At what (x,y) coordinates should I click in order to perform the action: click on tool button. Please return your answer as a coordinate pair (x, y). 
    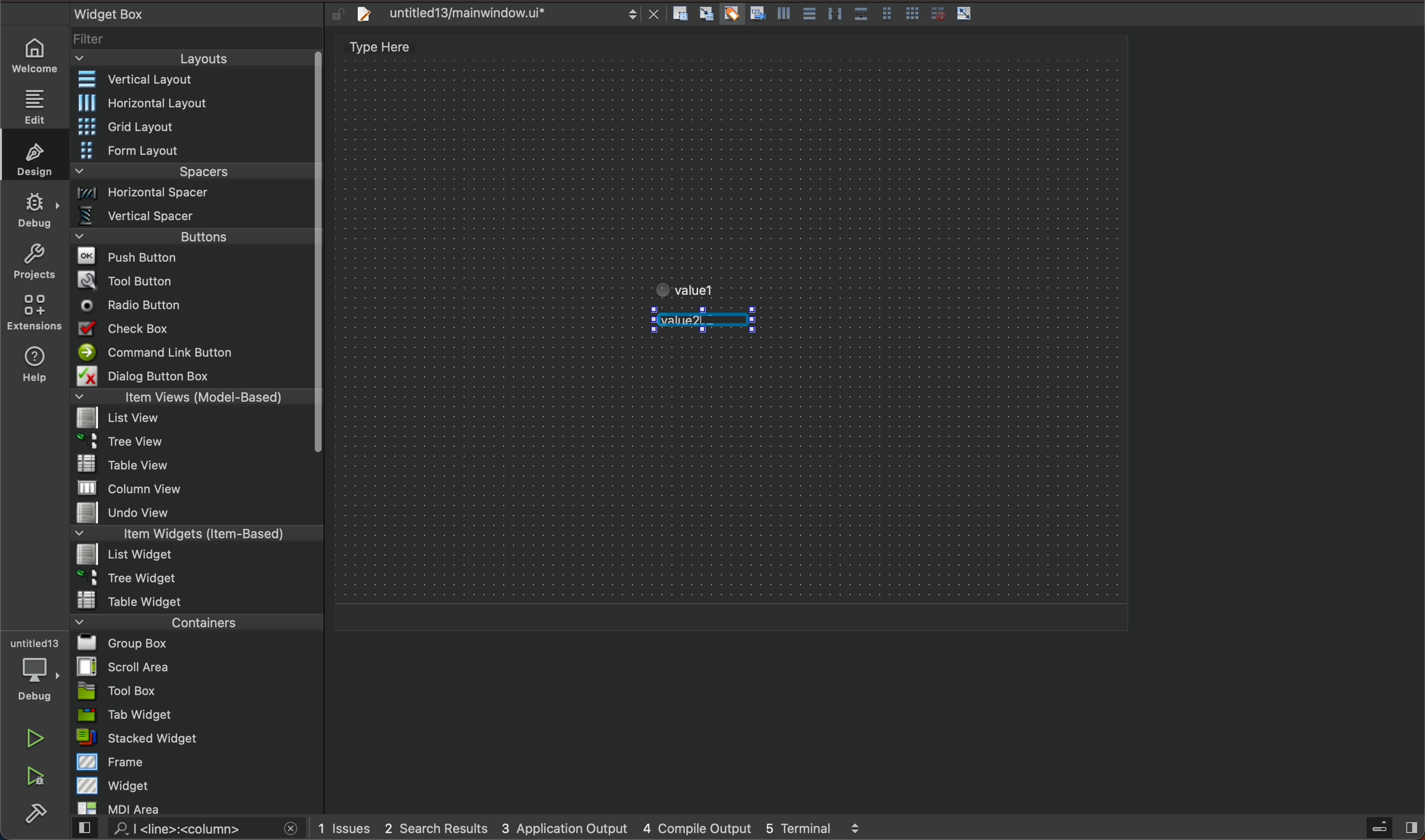
    Looking at the image, I should click on (194, 280).